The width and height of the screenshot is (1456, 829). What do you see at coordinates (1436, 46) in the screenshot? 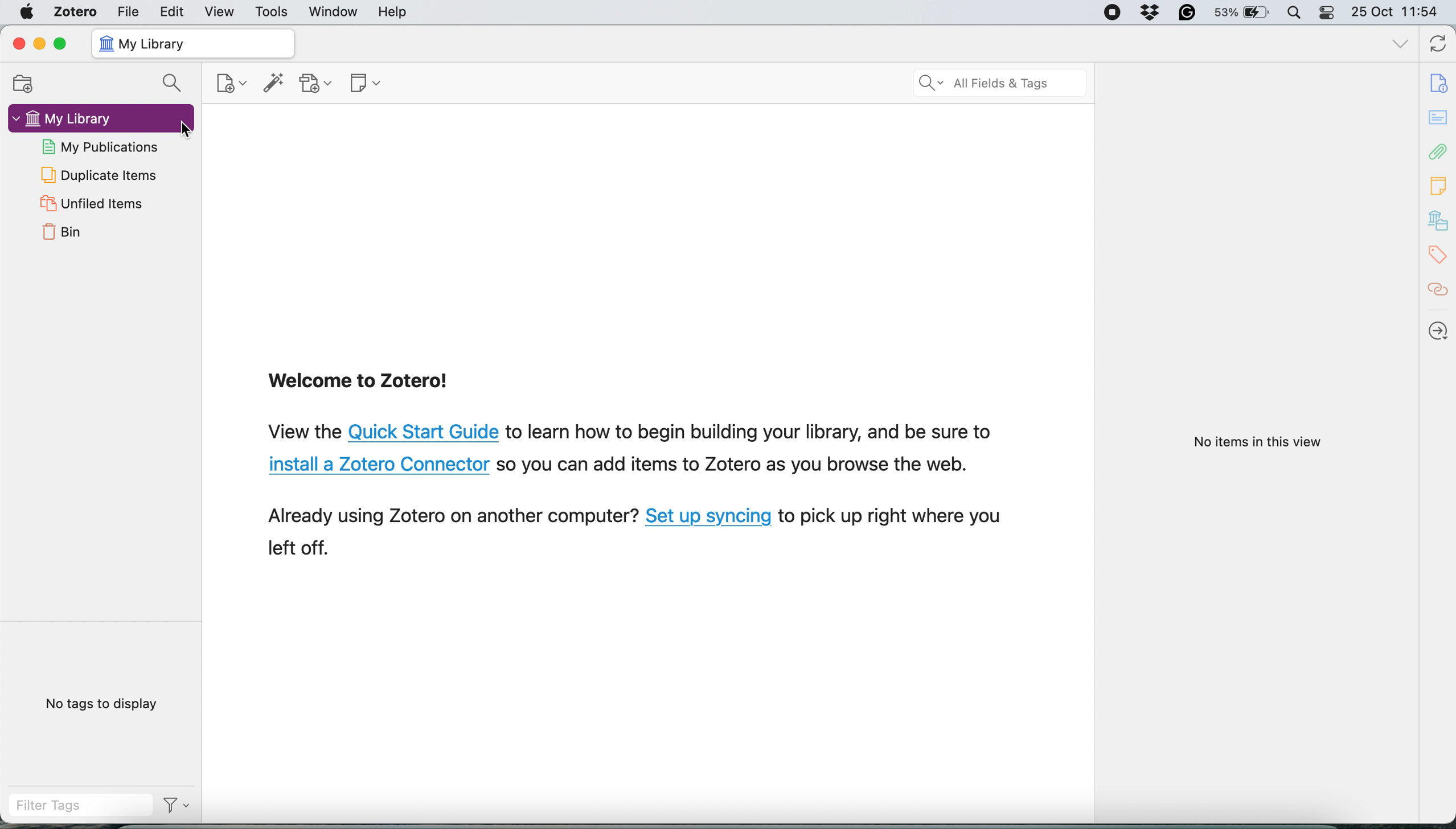
I see `sync with zotero.org` at bounding box center [1436, 46].